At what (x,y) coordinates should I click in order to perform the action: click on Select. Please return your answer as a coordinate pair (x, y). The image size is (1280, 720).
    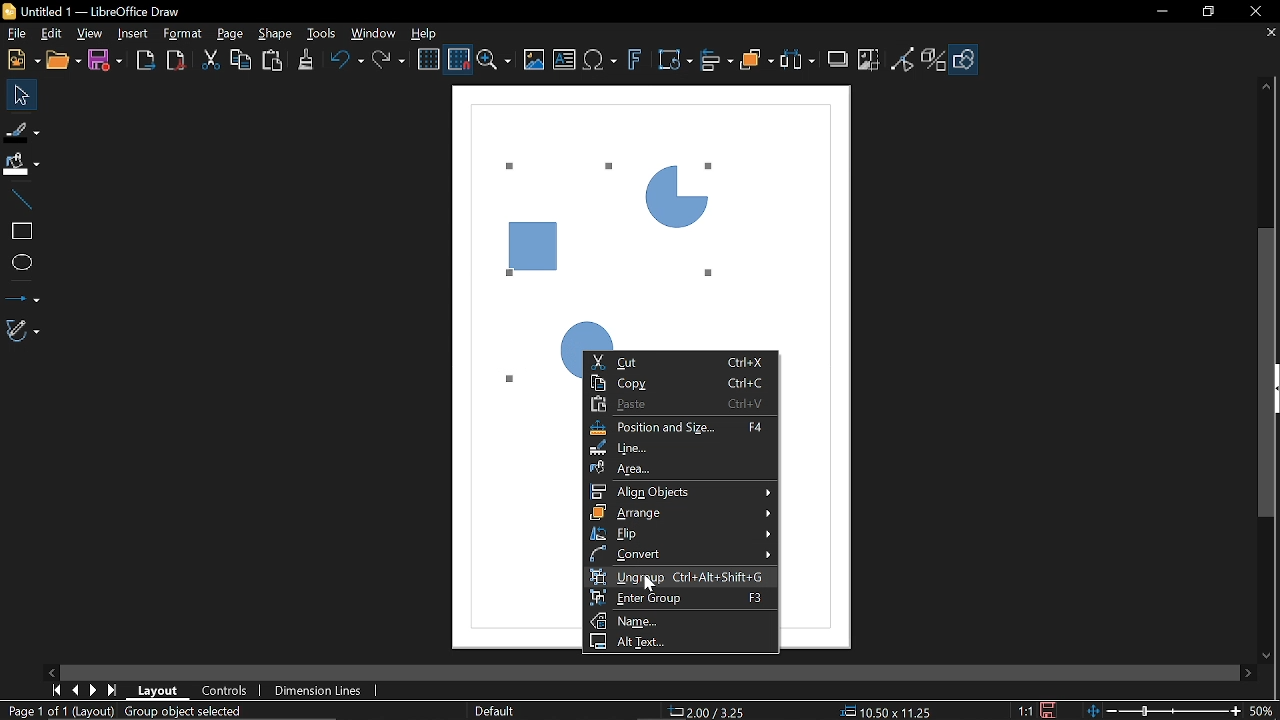
    Looking at the image, I should click on (21, 95).